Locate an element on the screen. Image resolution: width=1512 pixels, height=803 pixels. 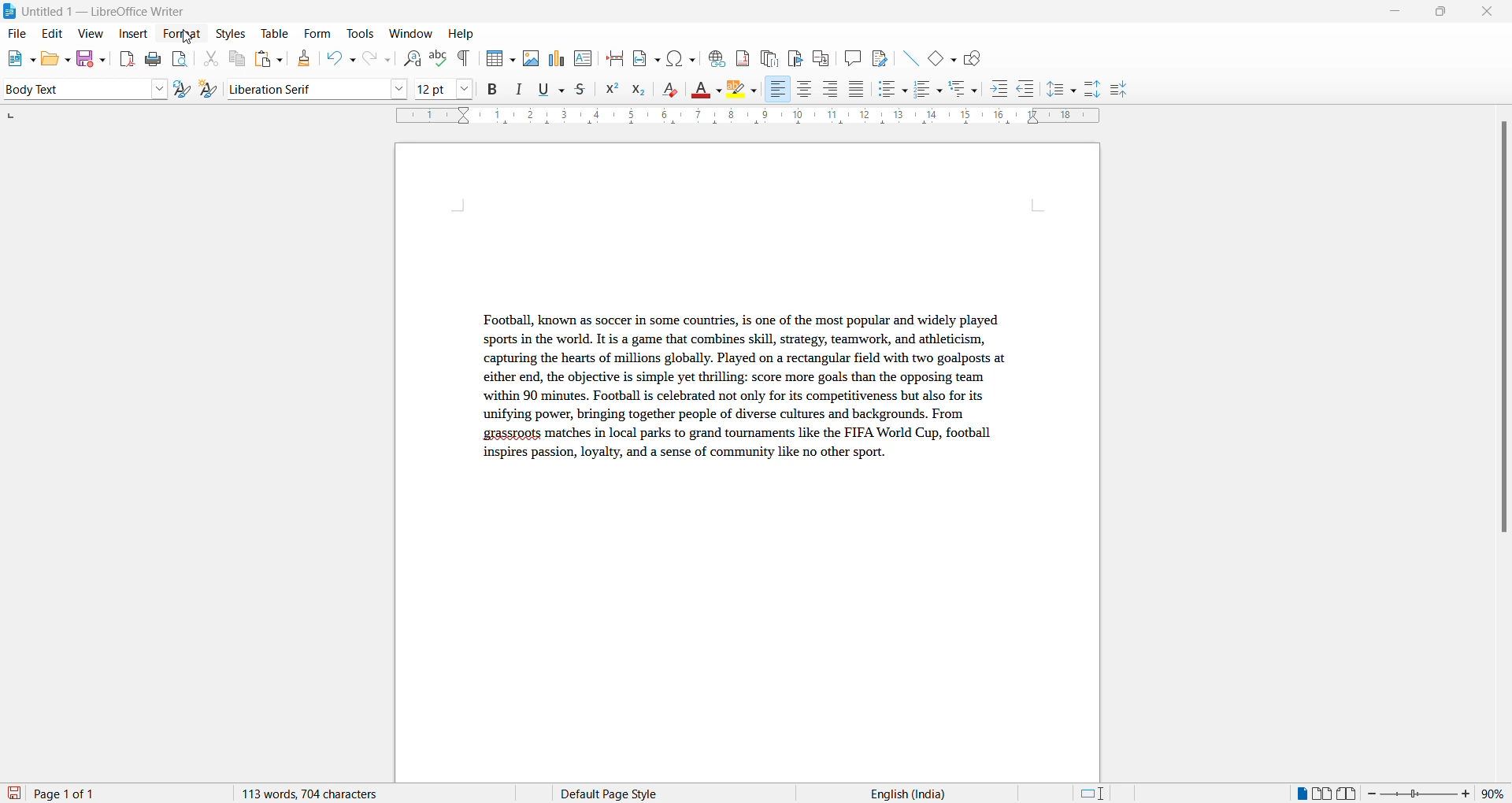
strike through is located at coordinates (587, 90).